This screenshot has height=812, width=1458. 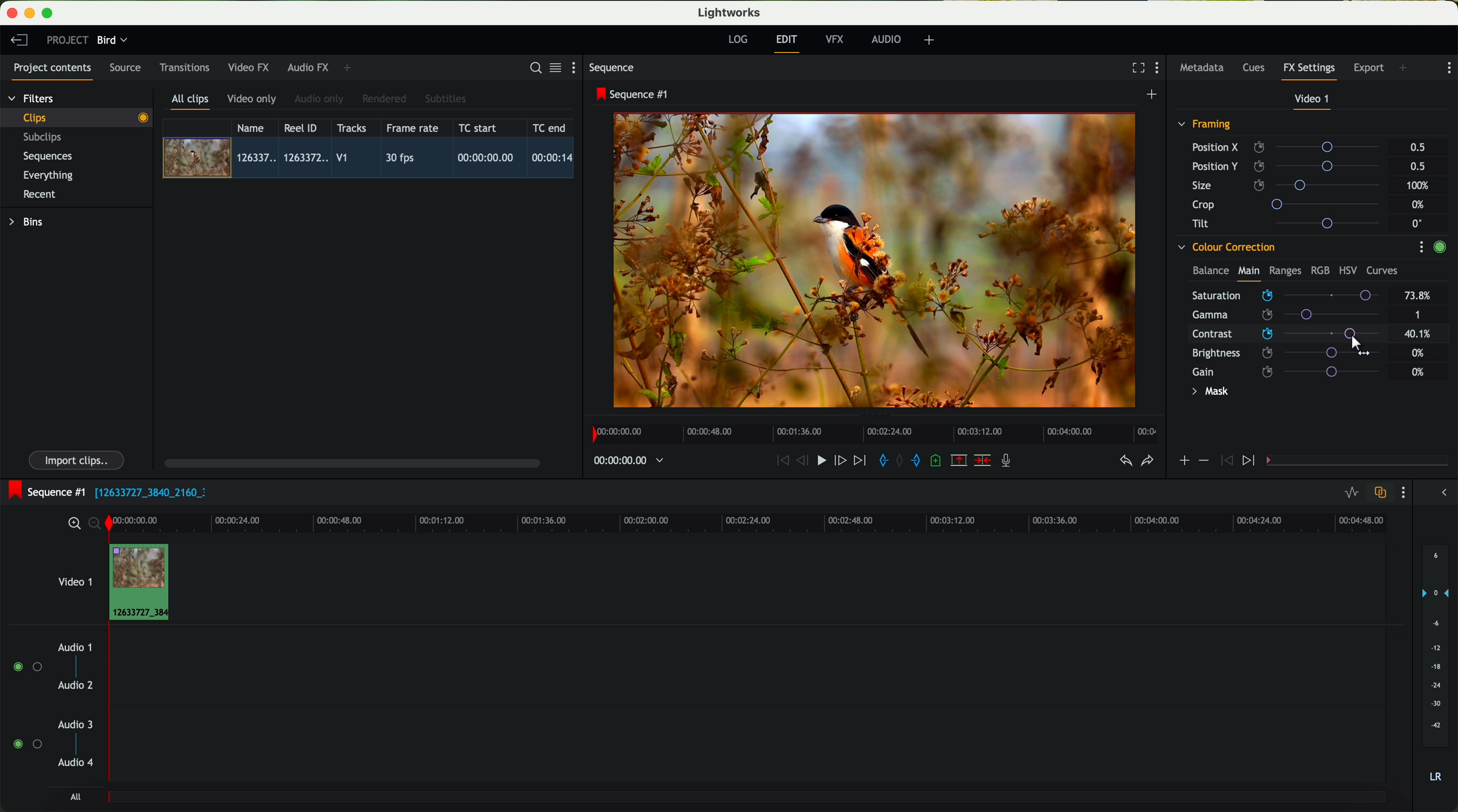 What do you see at coordinates (308, 67) in the screenshot?
I see `audio FX` at bounding box center [308, 67].